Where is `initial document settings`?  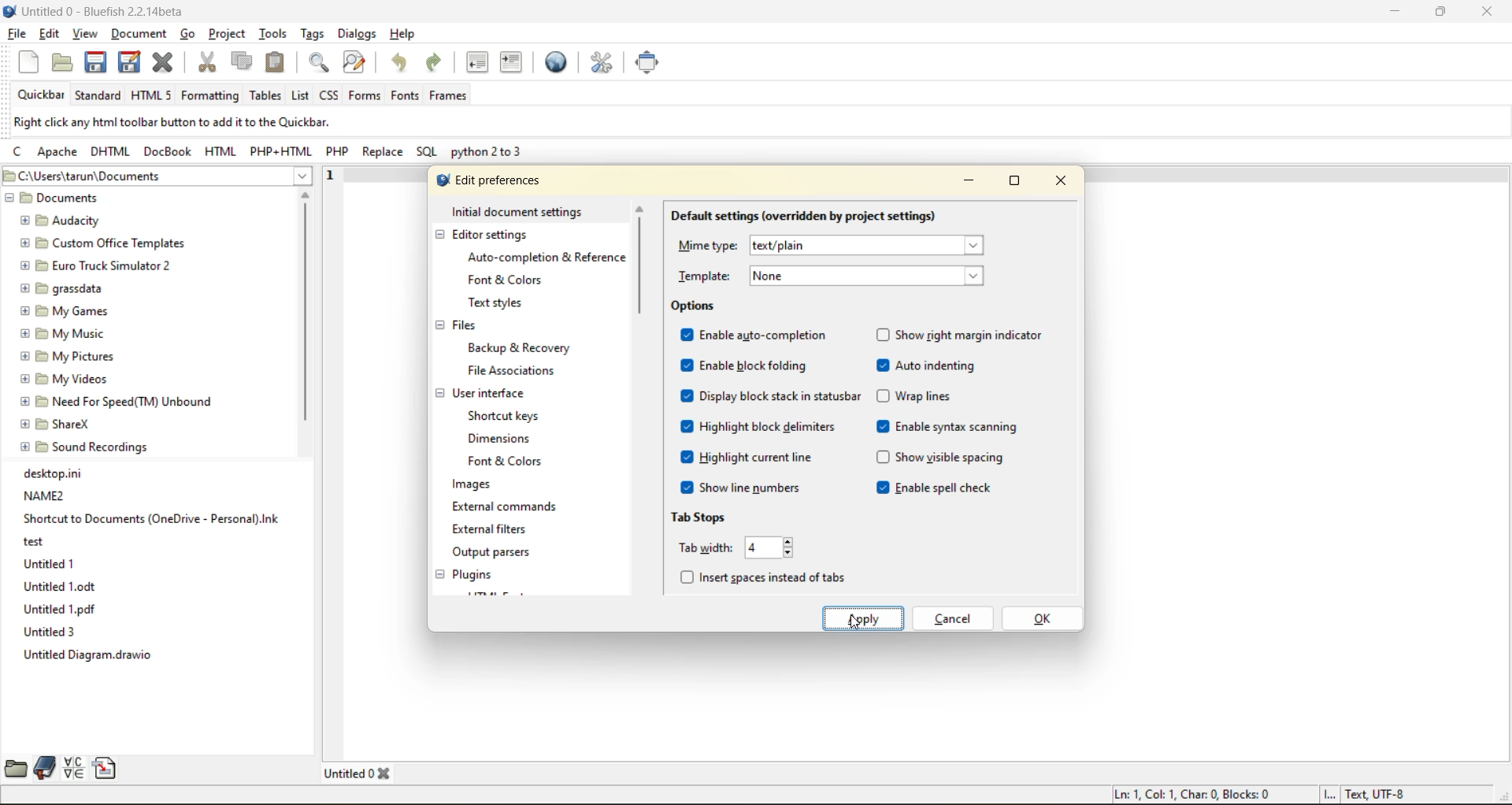
initial document settings is located at coordinates (519, 211).